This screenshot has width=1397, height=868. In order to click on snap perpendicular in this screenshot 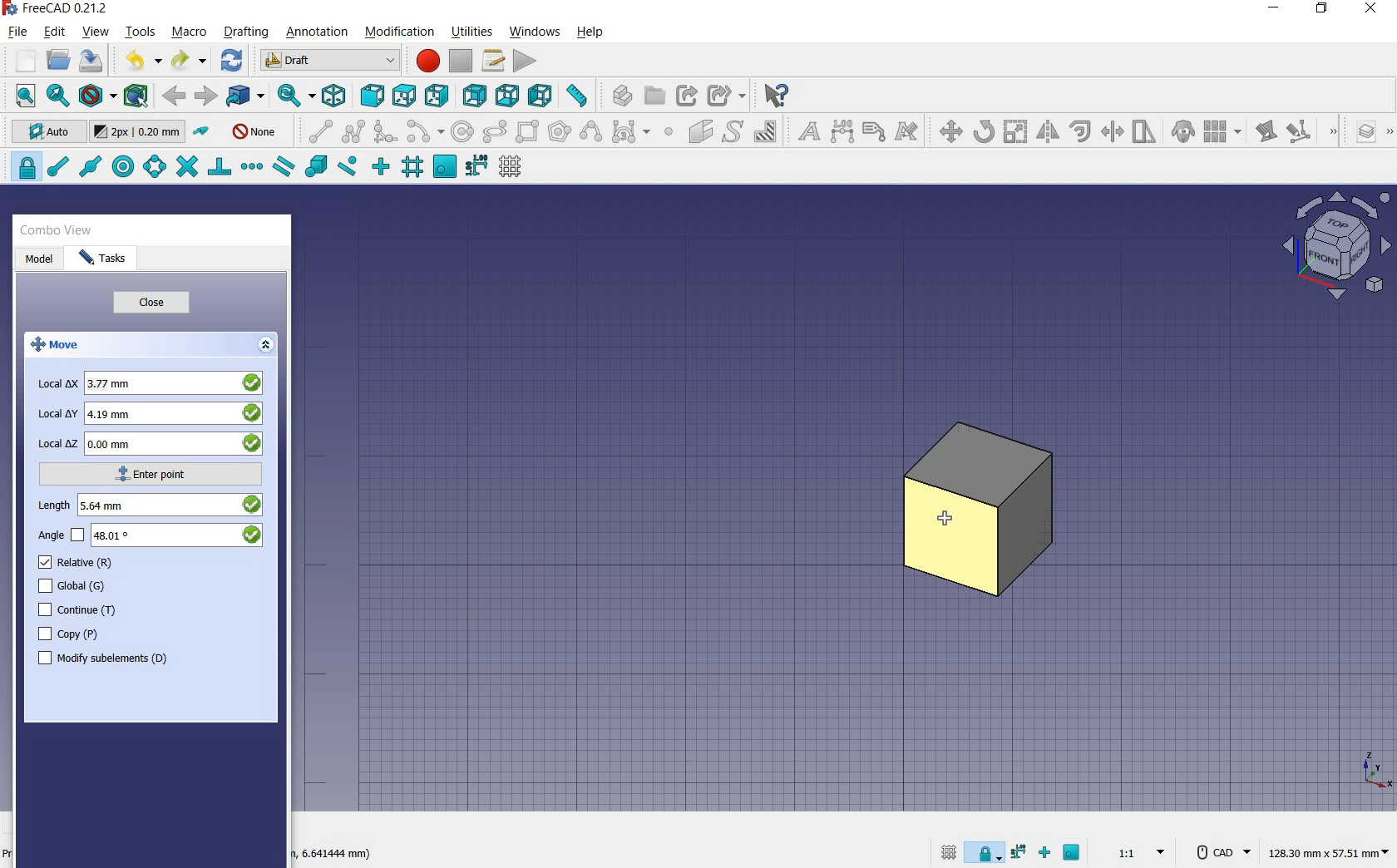, I will do `click(220, 167)`.